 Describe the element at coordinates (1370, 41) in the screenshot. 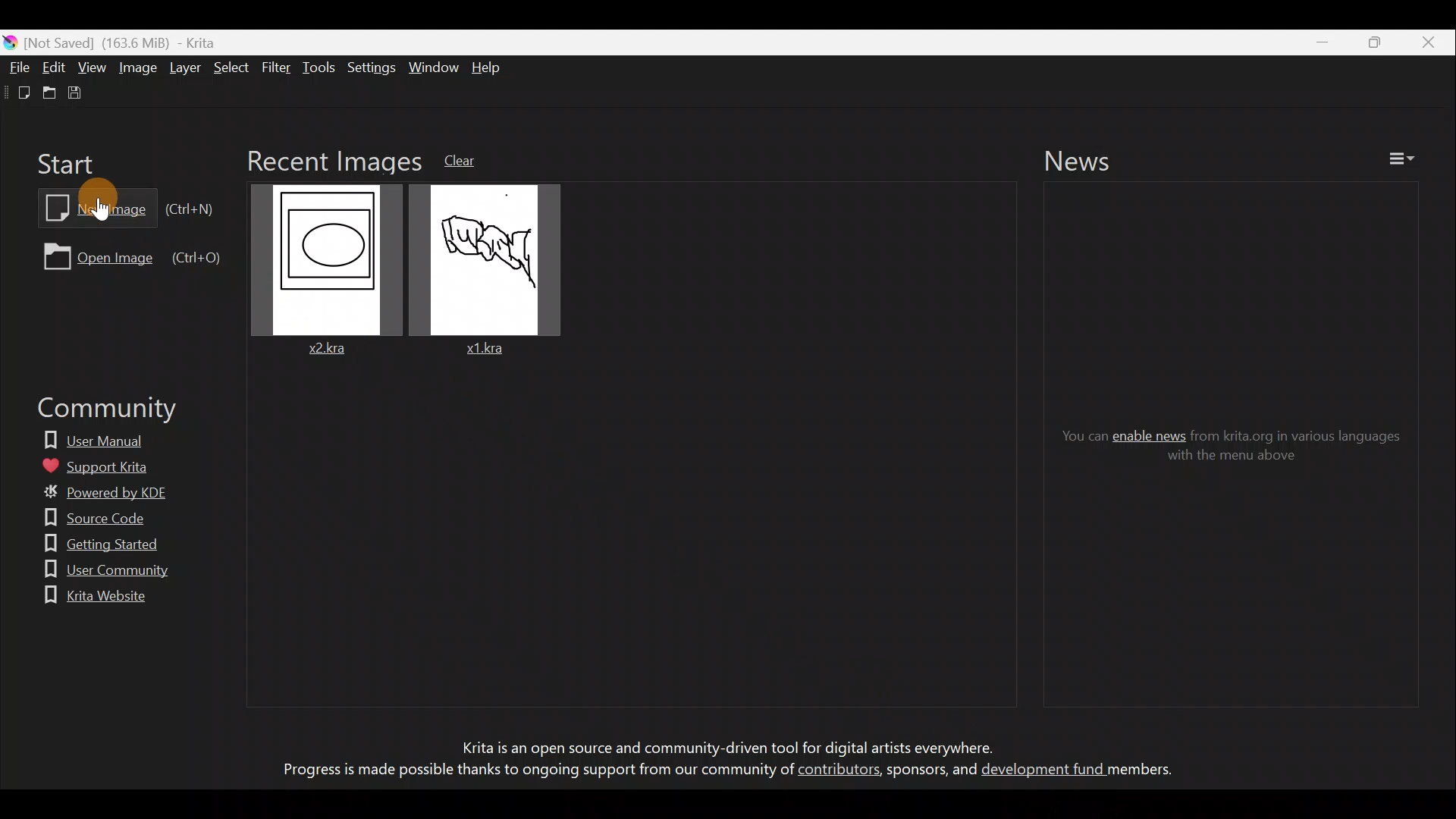

I see `Maximize` at that location.